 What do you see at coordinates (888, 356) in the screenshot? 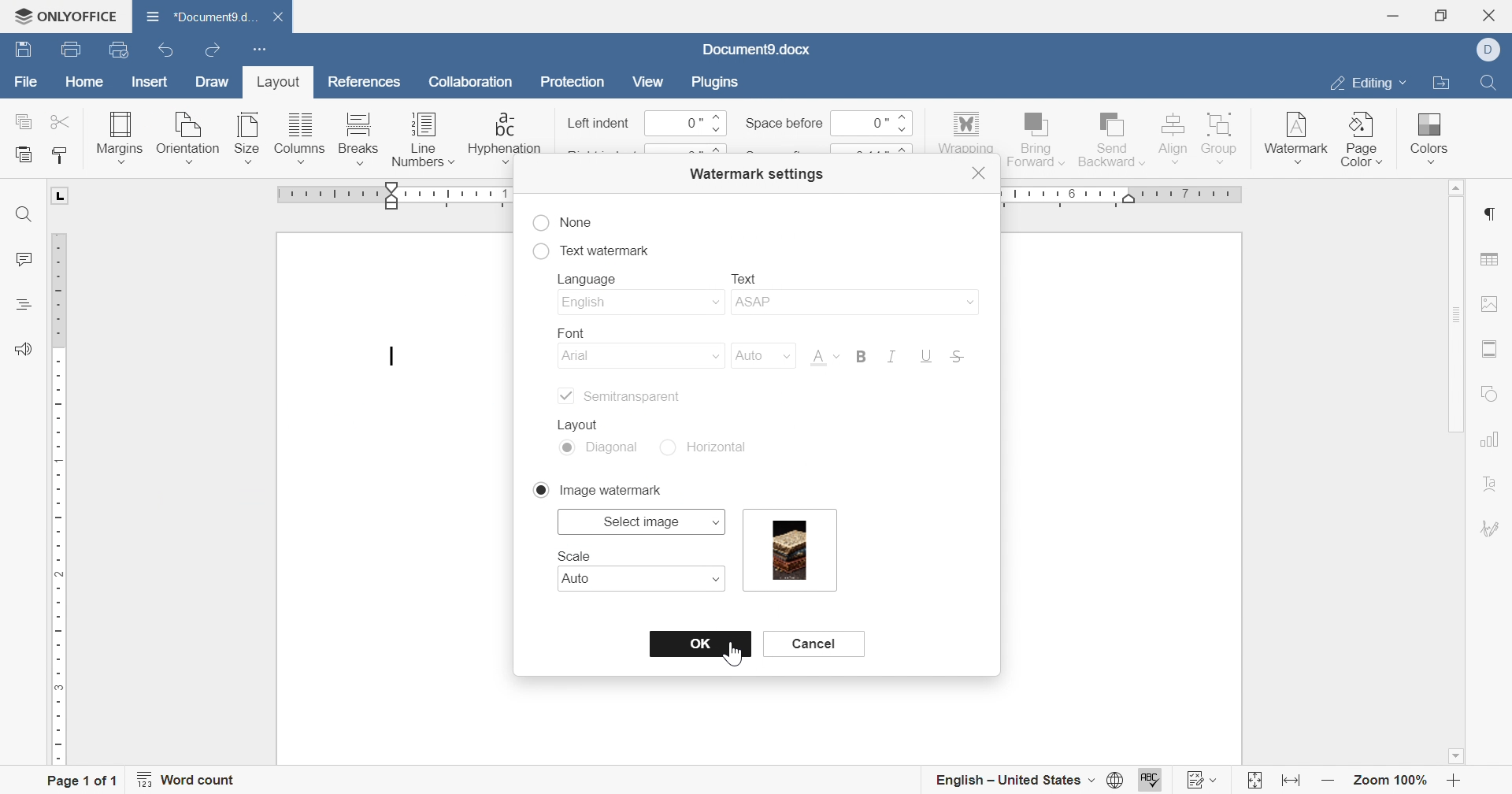
I see `italic` at bounding box center [888, 356].